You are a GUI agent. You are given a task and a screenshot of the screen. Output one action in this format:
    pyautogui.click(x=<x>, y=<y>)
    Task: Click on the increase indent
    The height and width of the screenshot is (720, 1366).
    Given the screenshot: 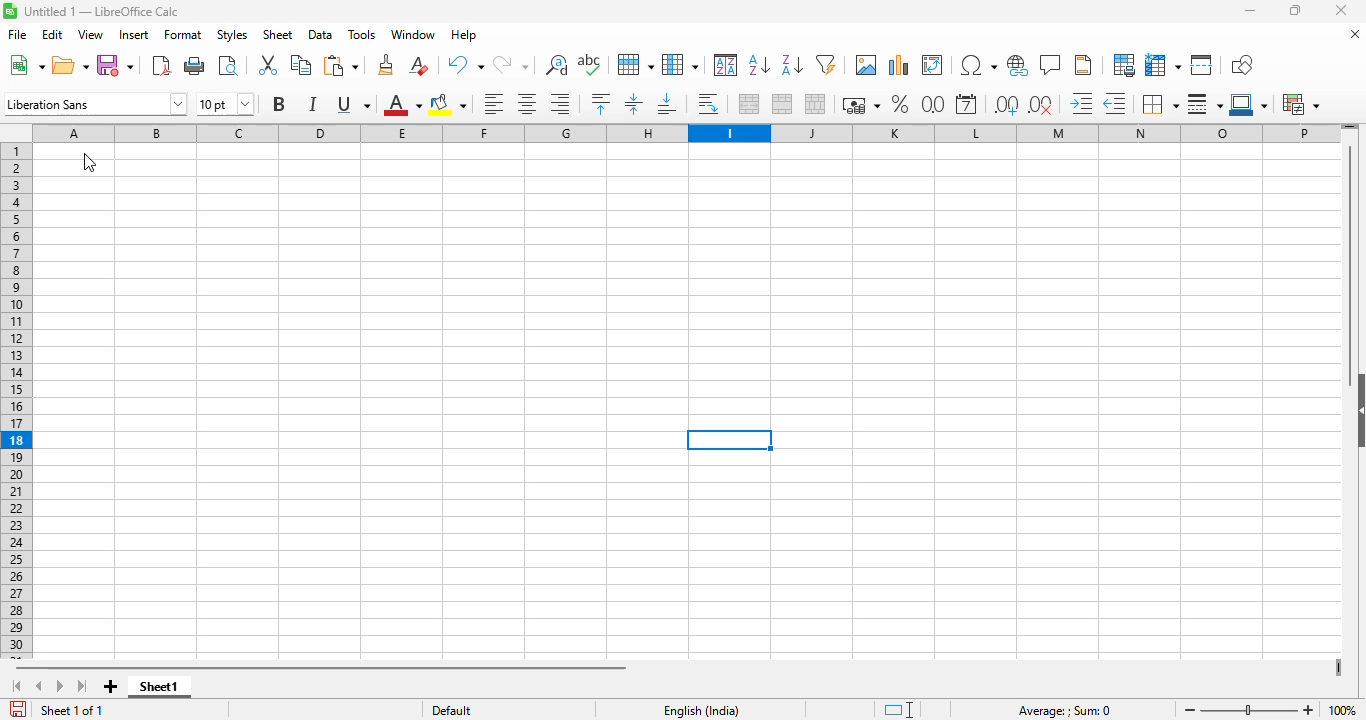 What is the action you would take?
    pyautogui.click(x=1081, y=103)
    